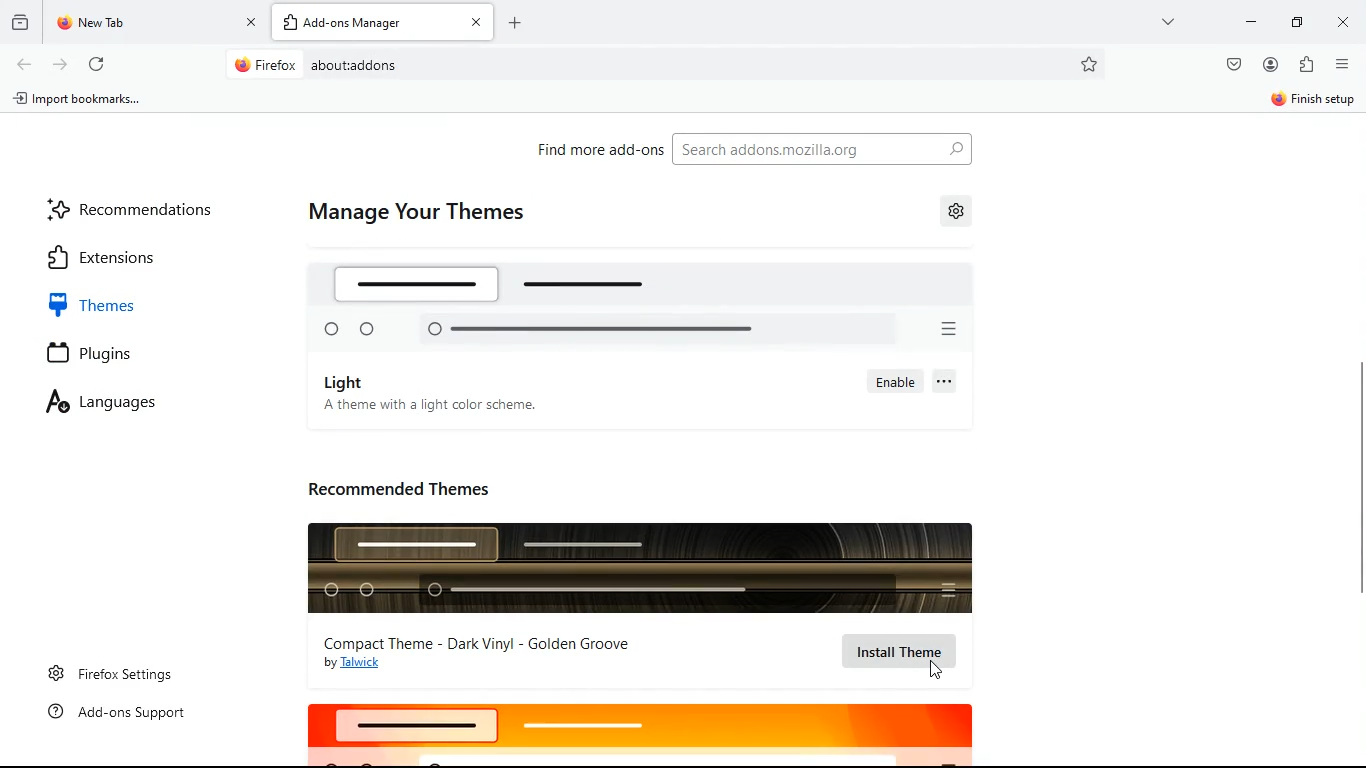 This screenshot has height=768, width=1366. I want to click on themes, so click(109, 305).